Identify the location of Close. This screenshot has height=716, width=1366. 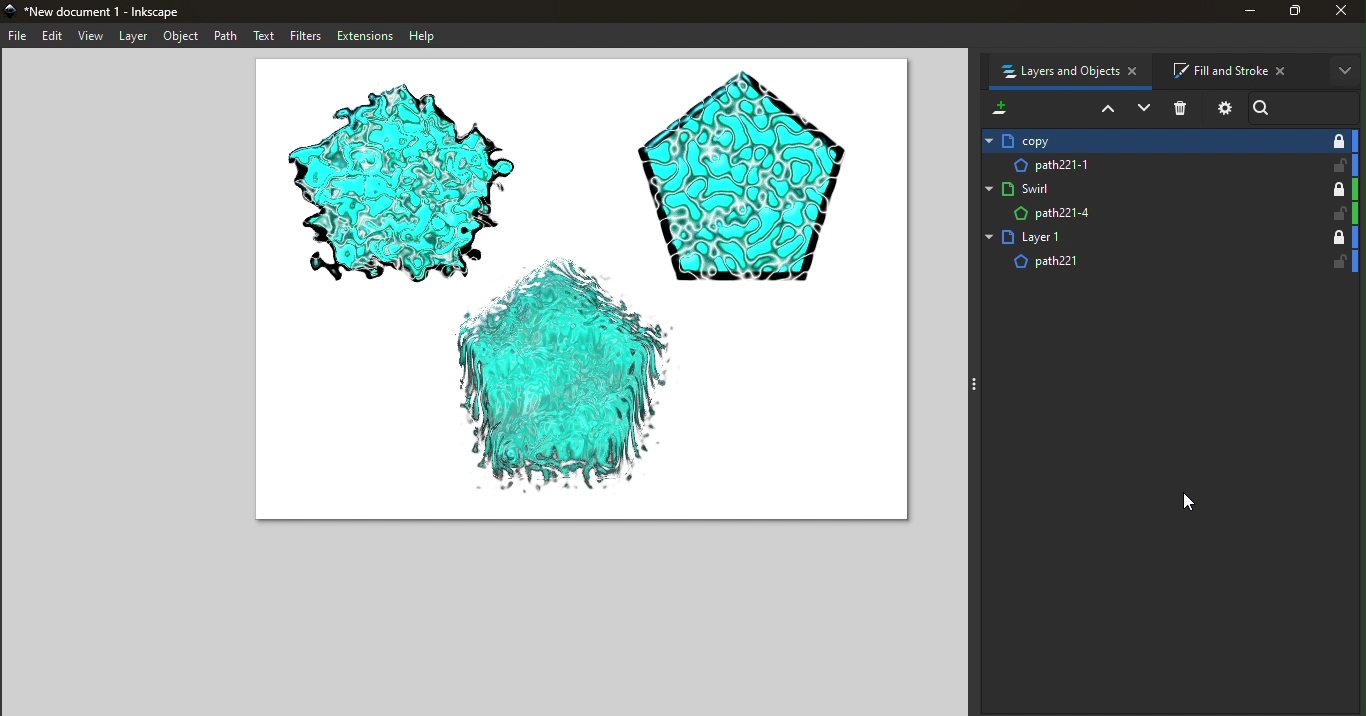
(1344, 14).